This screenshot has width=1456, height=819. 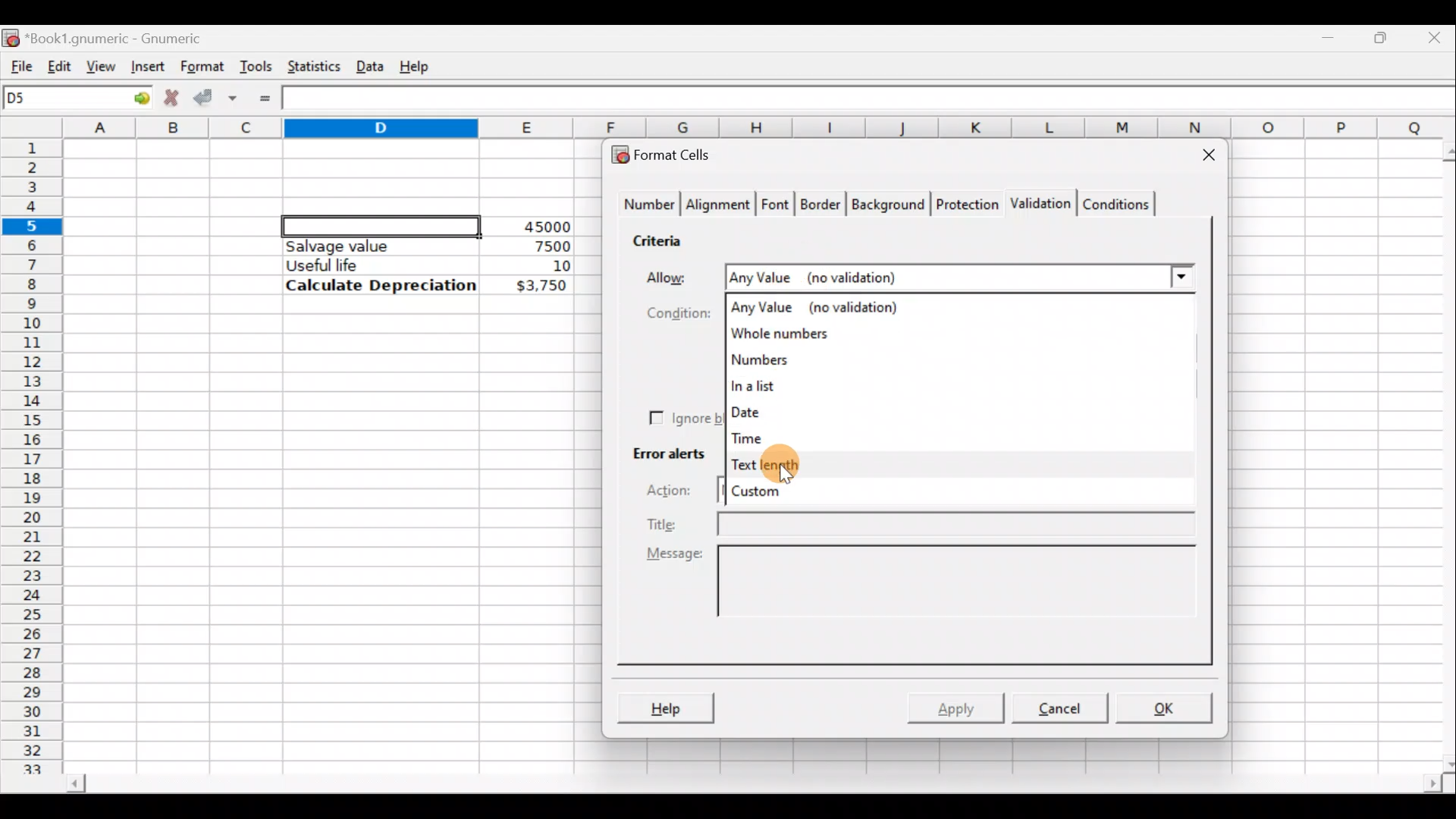 What do you see at coordinates (772, 495) in the screenshot?
I see `Custom` at bounding box center [772, 495].